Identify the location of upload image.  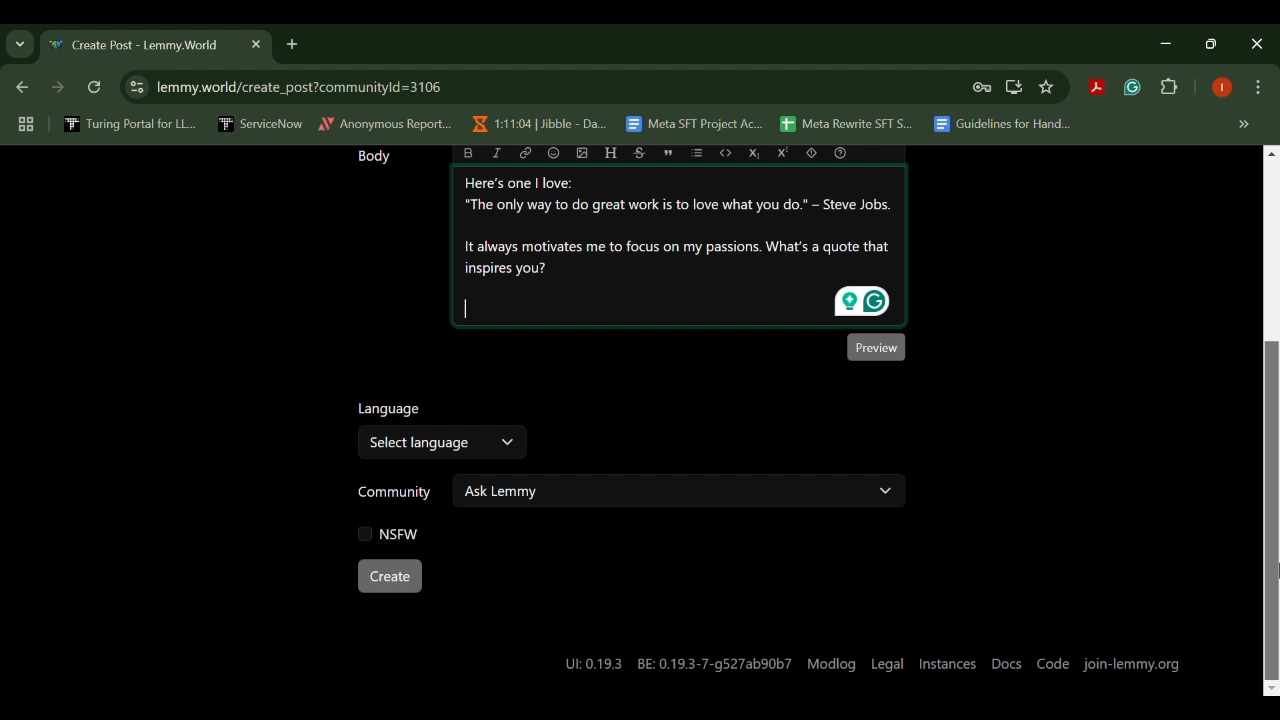
(581, 153).